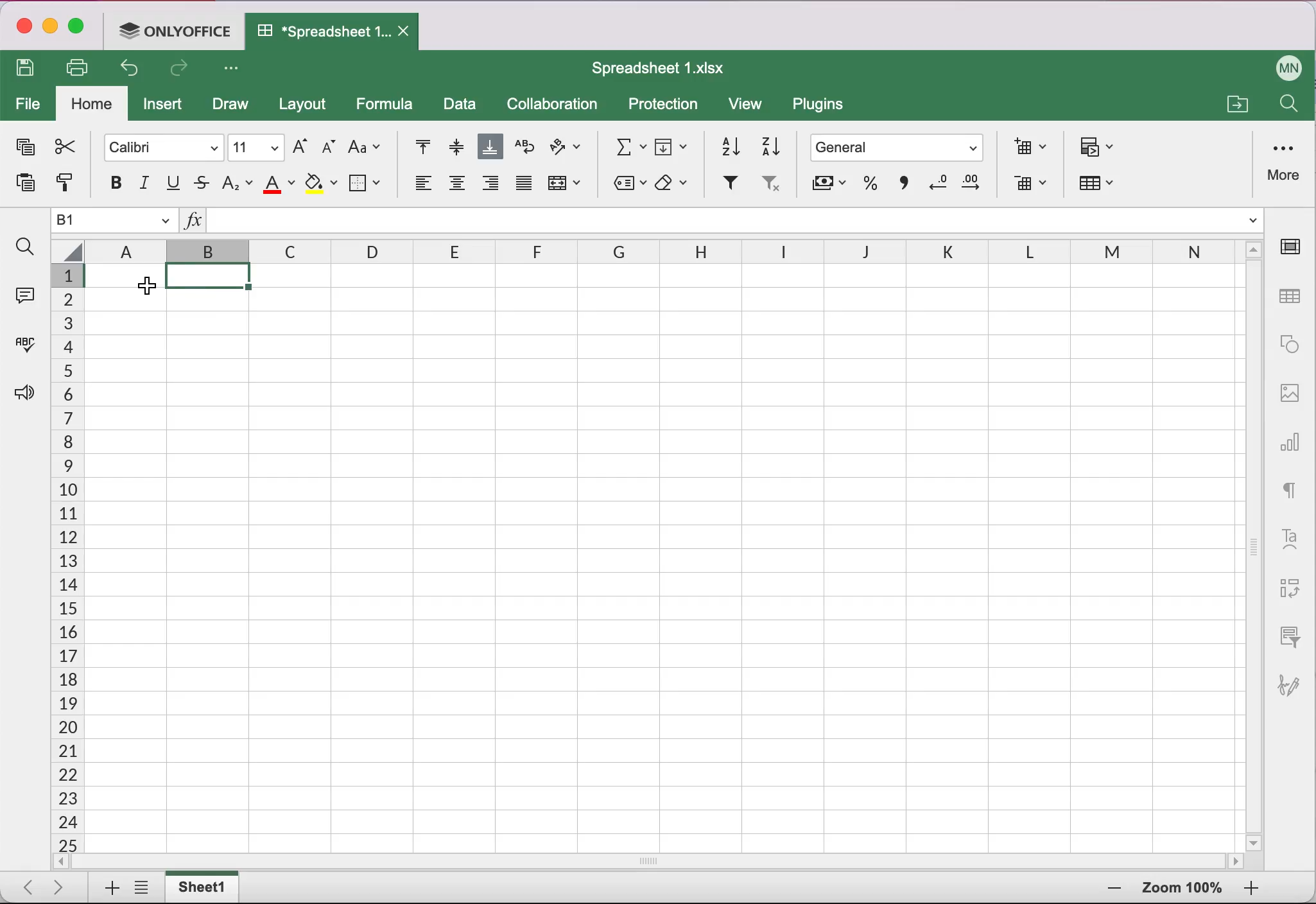  Describe the element at coordinates (1103, 186) in the screenshot. I see `format as table template` at that location.